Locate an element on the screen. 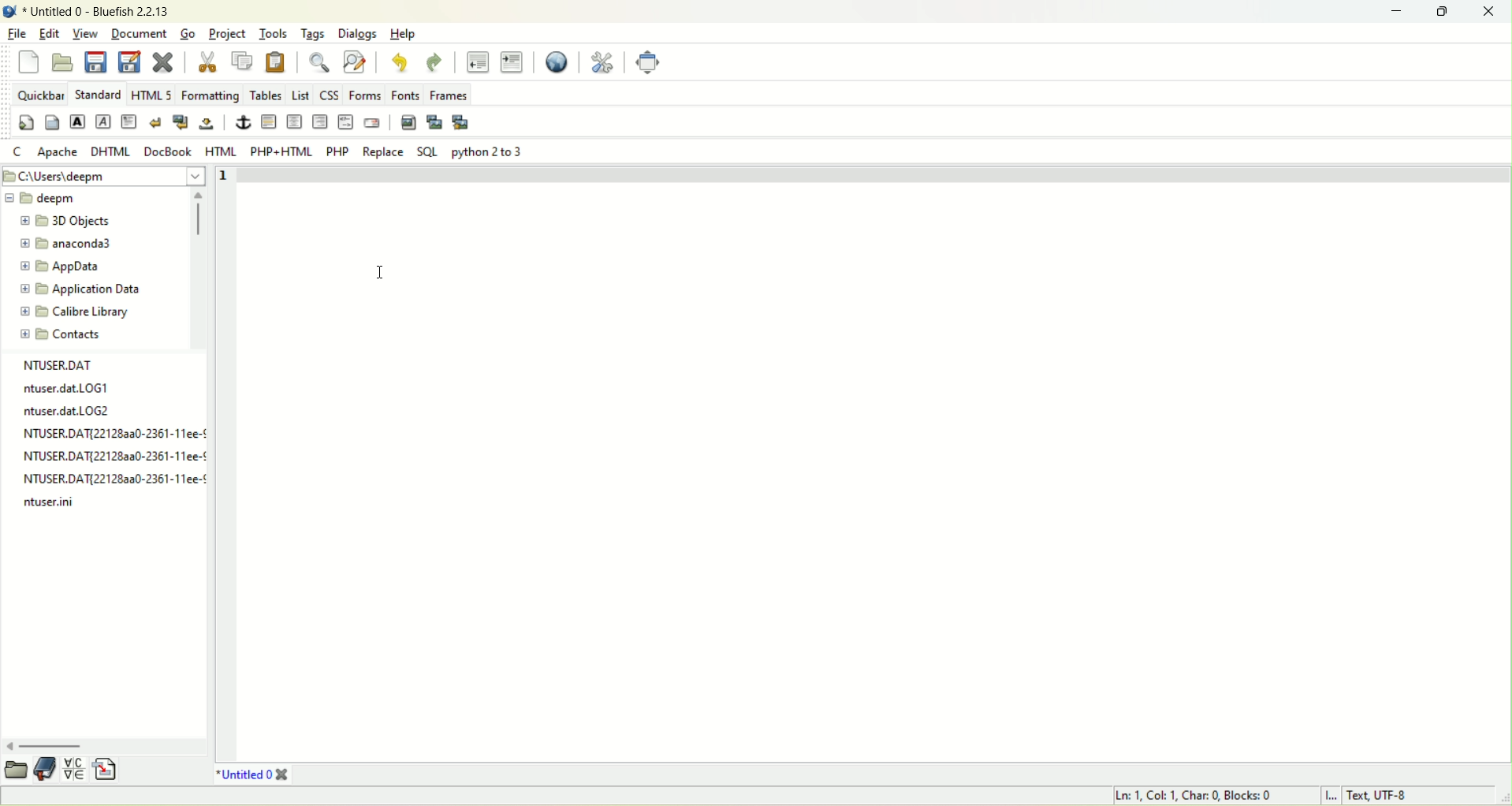  application icon is located at coordinates (9, 11).